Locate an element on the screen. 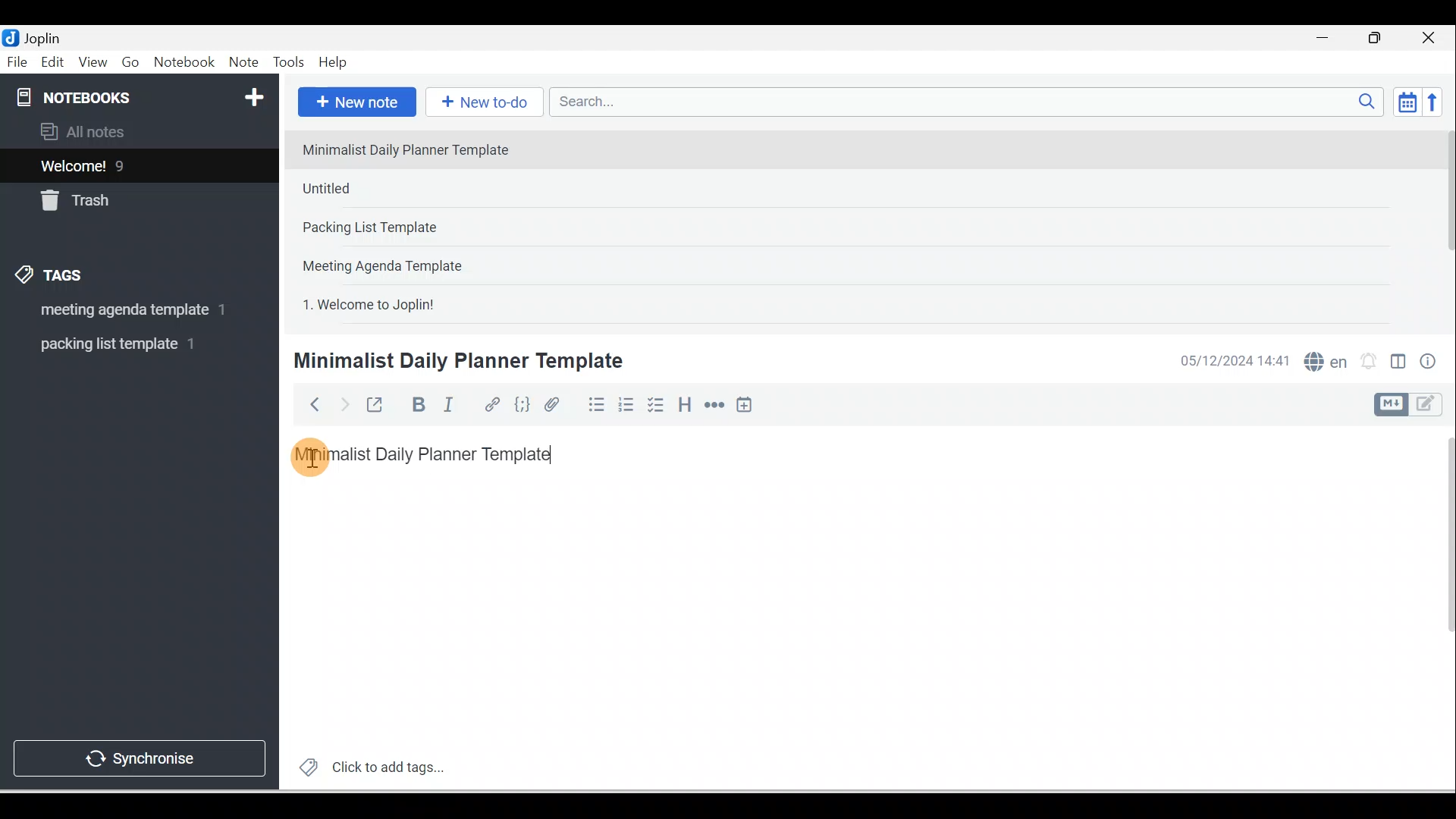  Spelling is located at coordinates (1323, 359).